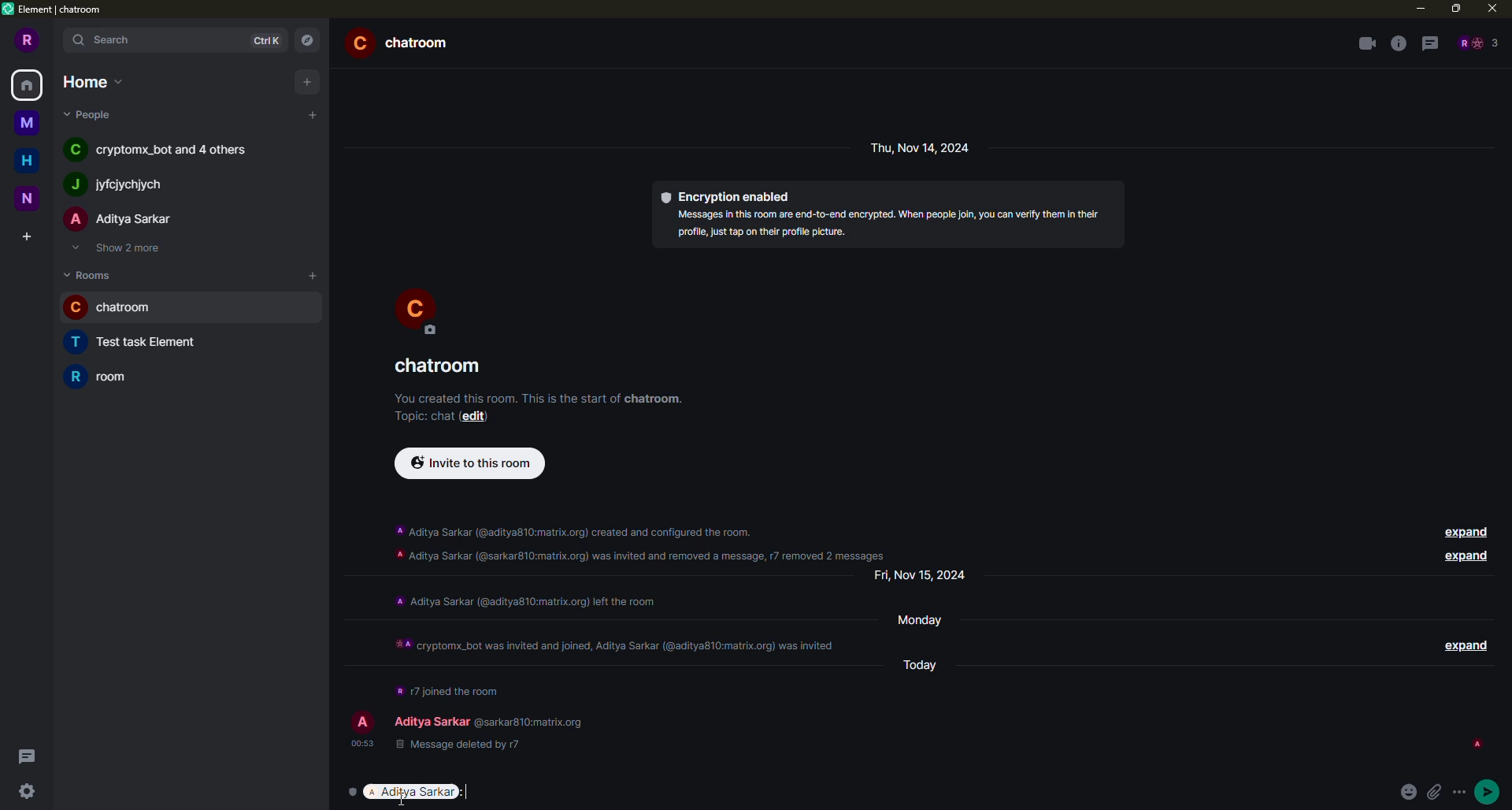 Image resolution: width=1512 pixels, height=810 pixels. What do you see at coordinates (312, 273) in the screenshot?
I see `add` at bounding box center [312, 273].